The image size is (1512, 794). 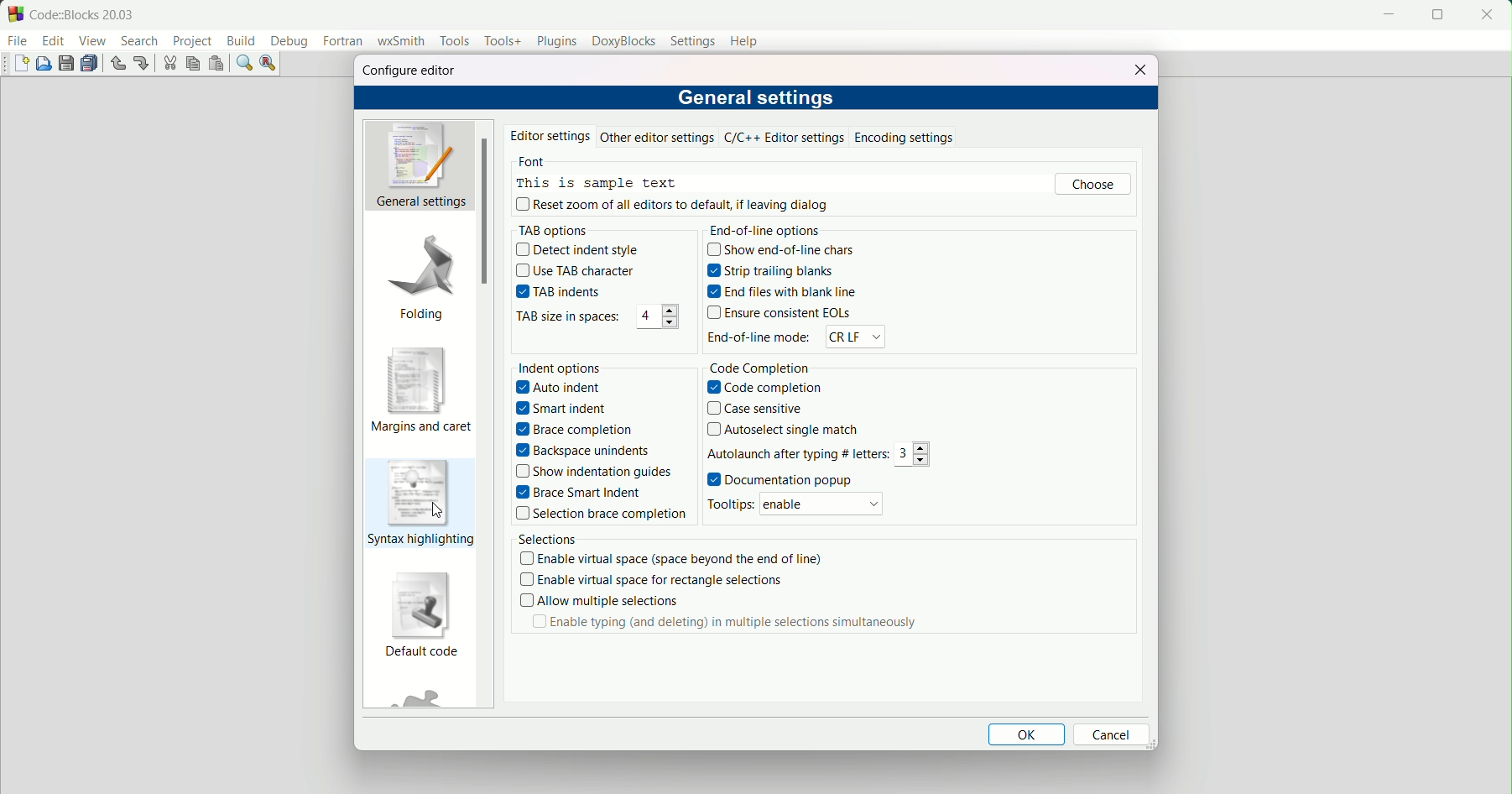 What do you see at coordinates (675, 204) in the screenshot?
I see `reset zoom` at bounding box center [675, 204].